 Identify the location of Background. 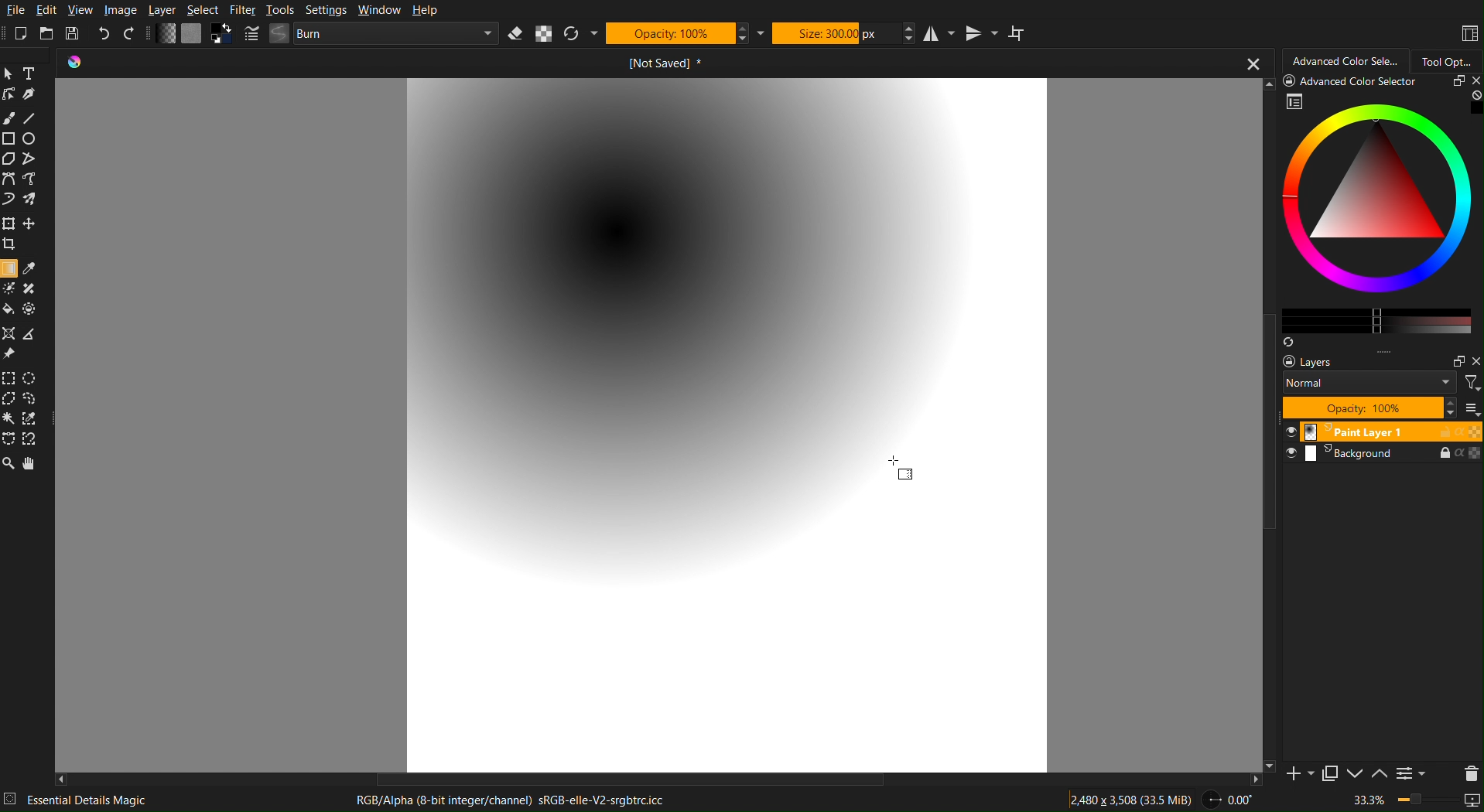
(1381, 455).